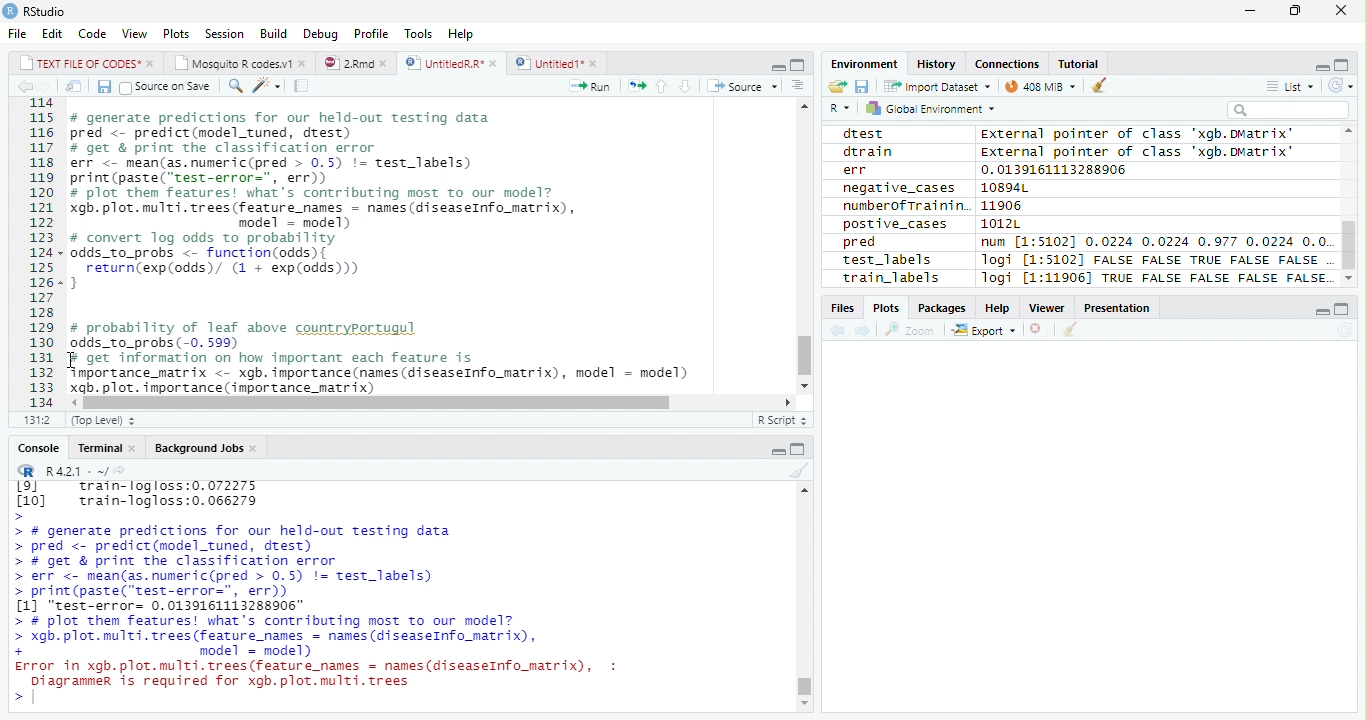  Describe the element at coordinates (854, 170) in the screenshot. I see `err` at that location.